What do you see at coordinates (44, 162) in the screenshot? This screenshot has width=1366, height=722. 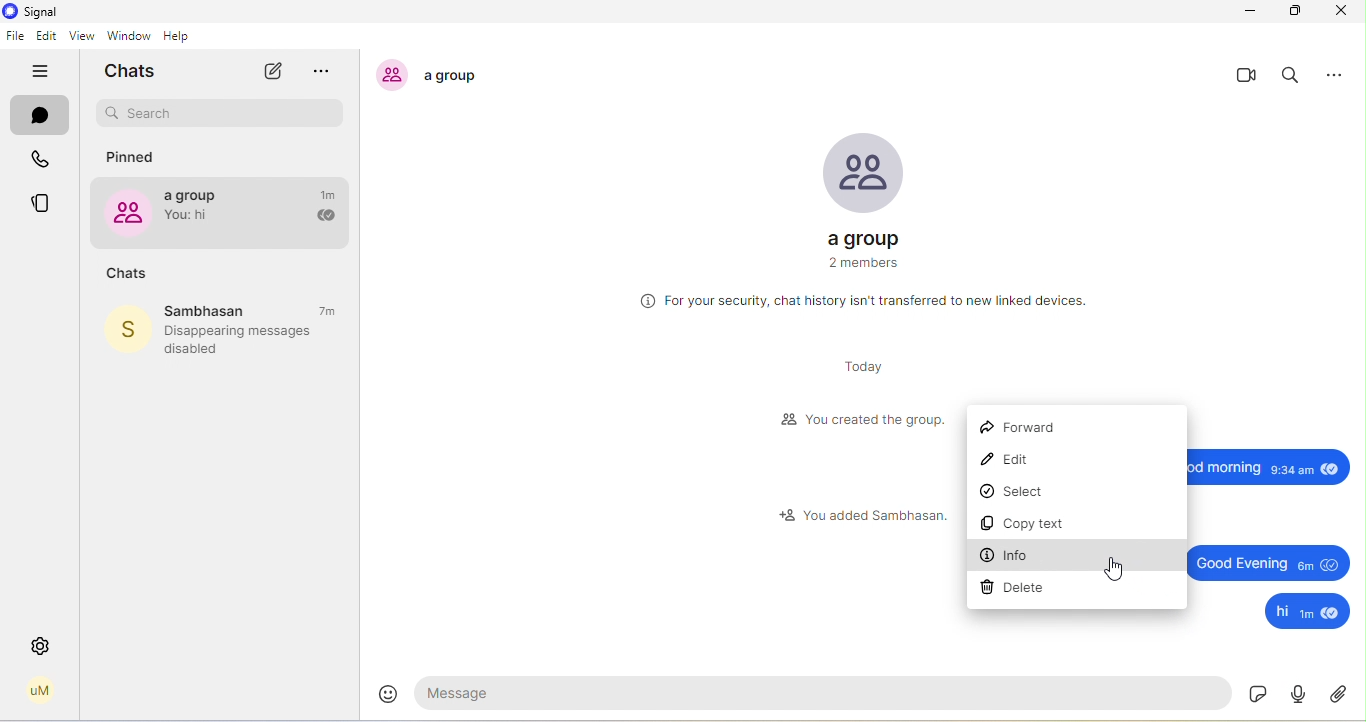 I see `calls` at bounding box center [44, 162].